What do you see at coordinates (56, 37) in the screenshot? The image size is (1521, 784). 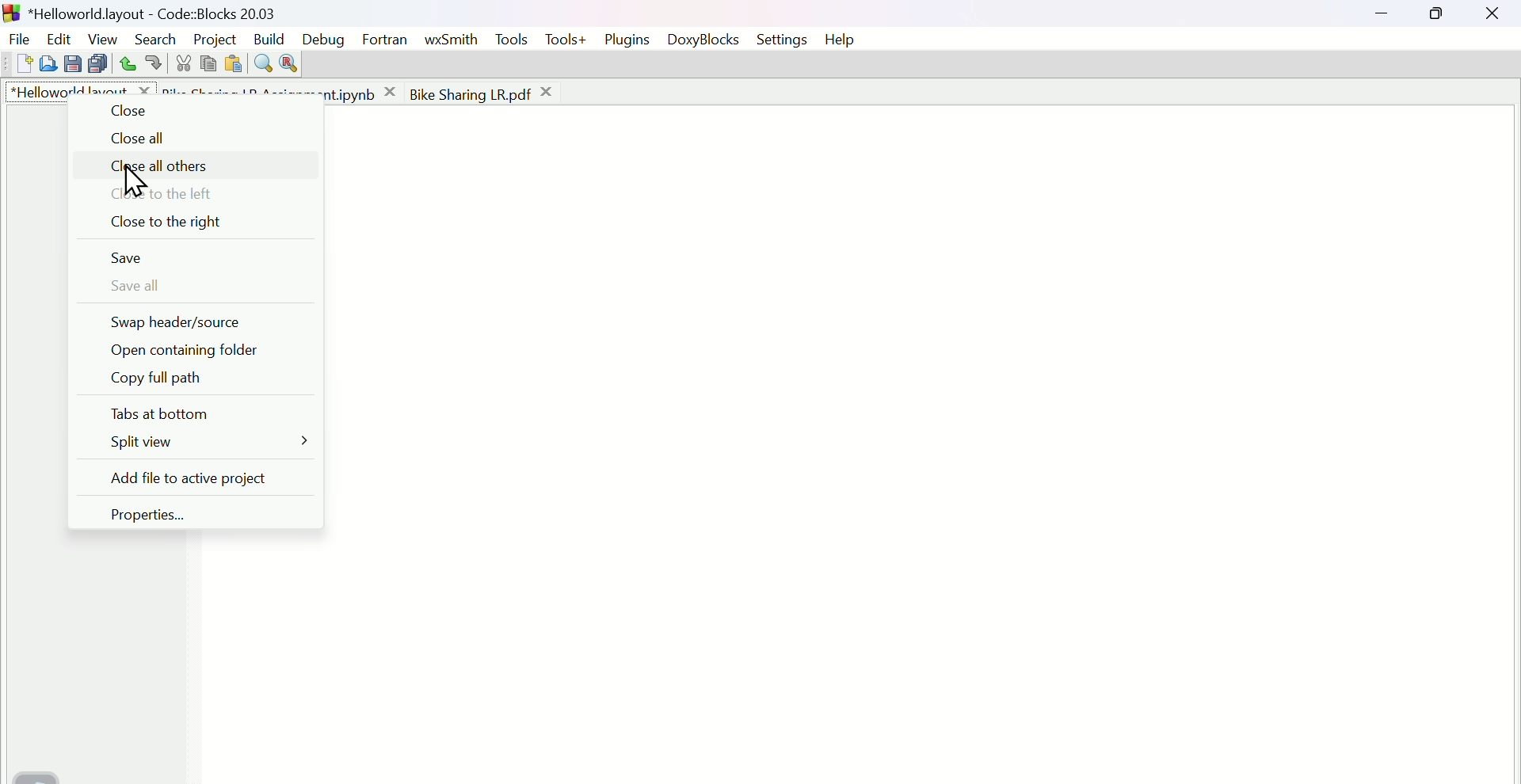 I see `Edit` at bounding box center [56, 37].